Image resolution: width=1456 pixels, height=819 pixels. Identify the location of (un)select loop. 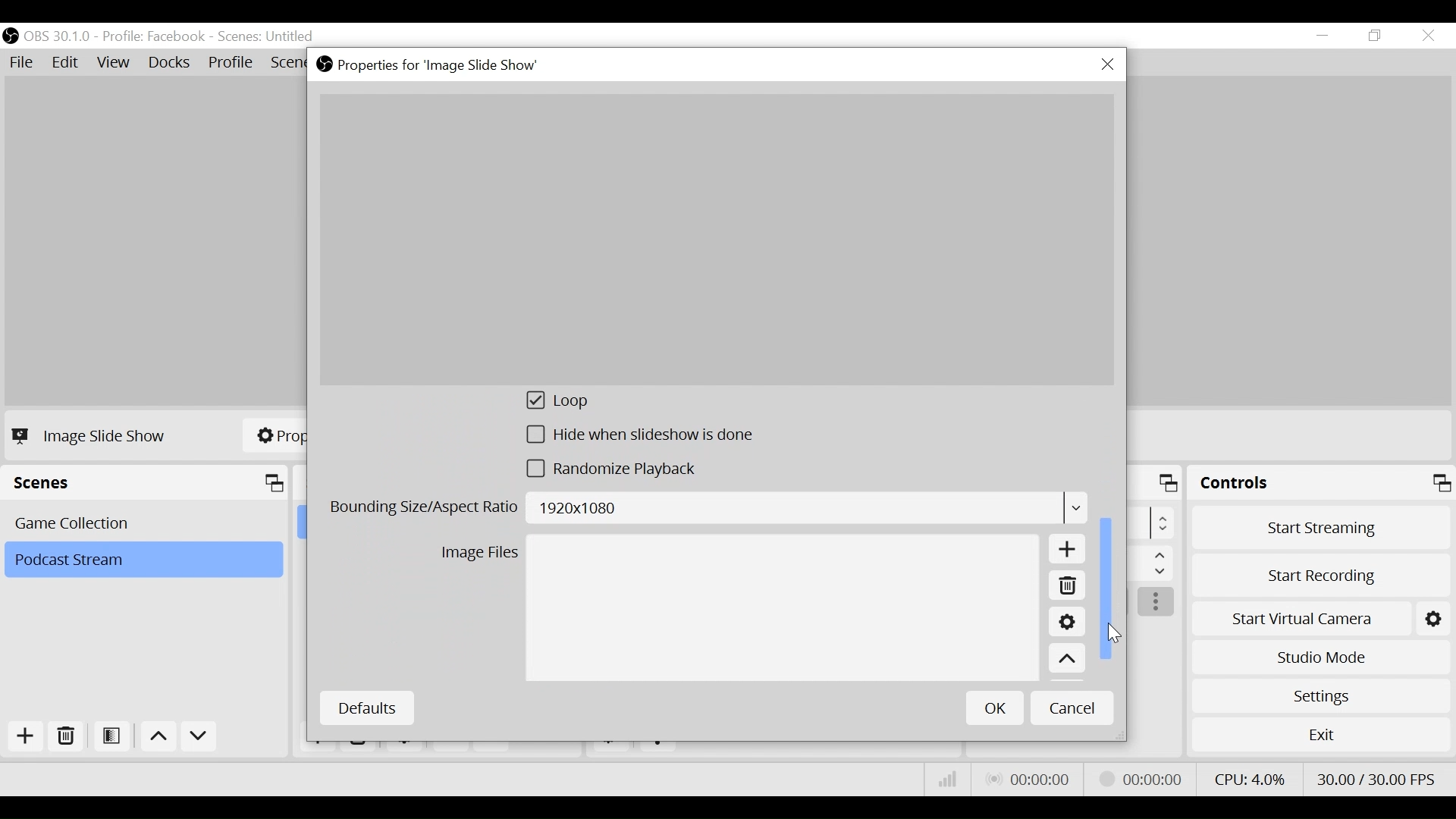
(577, 401).